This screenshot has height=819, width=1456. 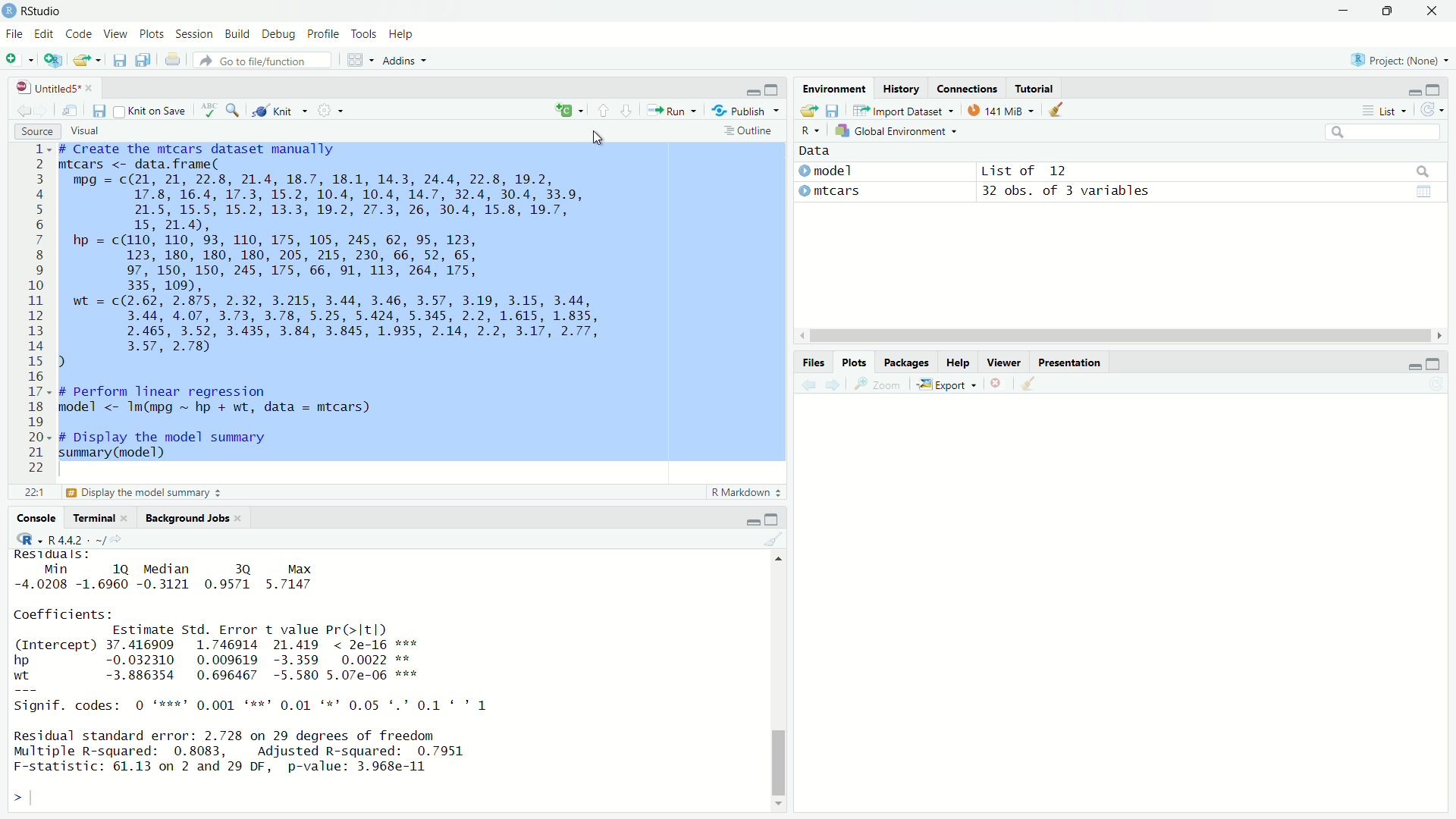 What do you see at coordinates (808, 111) in the screenshot?
I see `open` at bounding box center [808, 111].